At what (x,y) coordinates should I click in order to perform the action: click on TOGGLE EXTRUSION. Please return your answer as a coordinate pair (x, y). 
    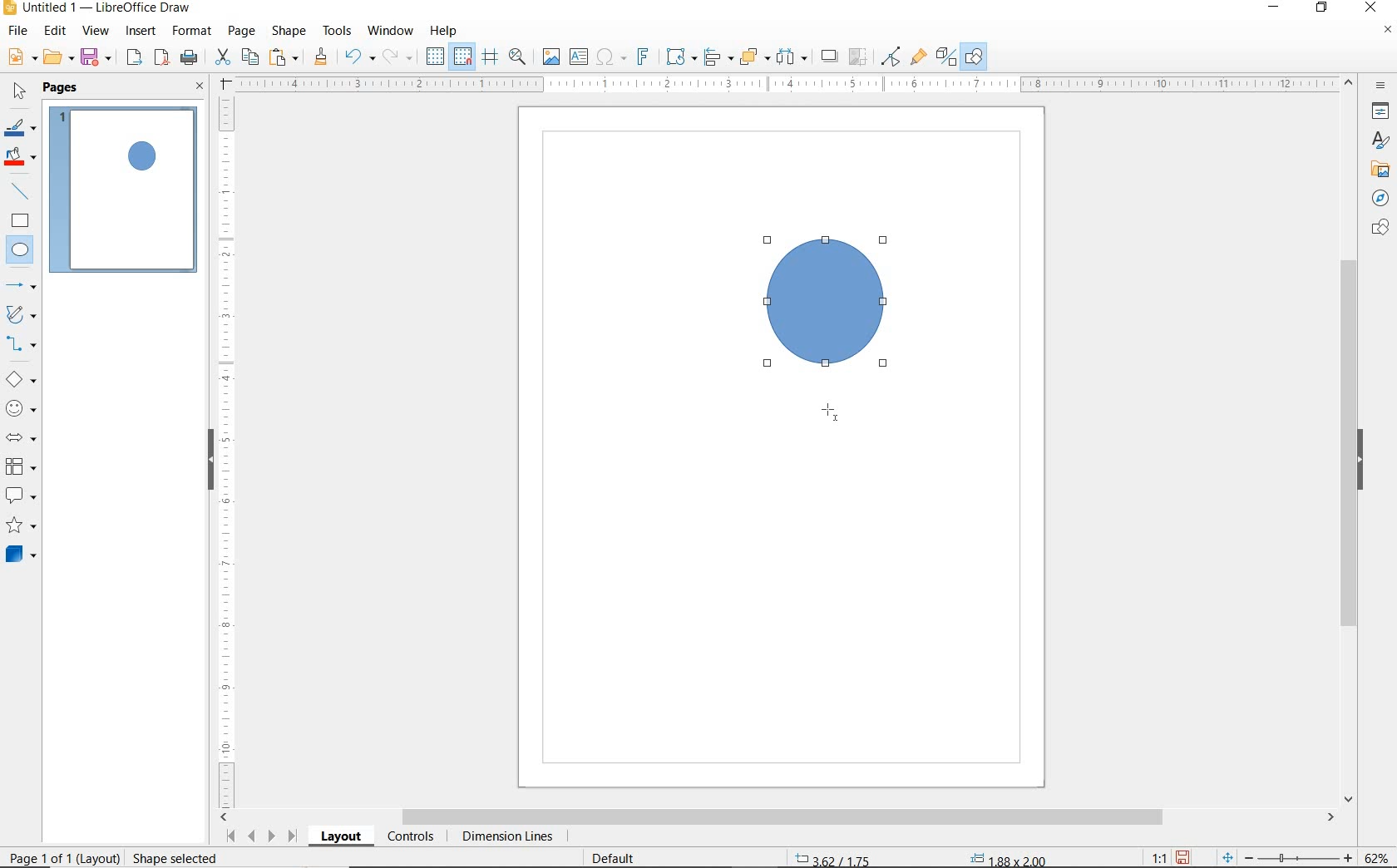
    Looking at the image, I should click on (946, 58).